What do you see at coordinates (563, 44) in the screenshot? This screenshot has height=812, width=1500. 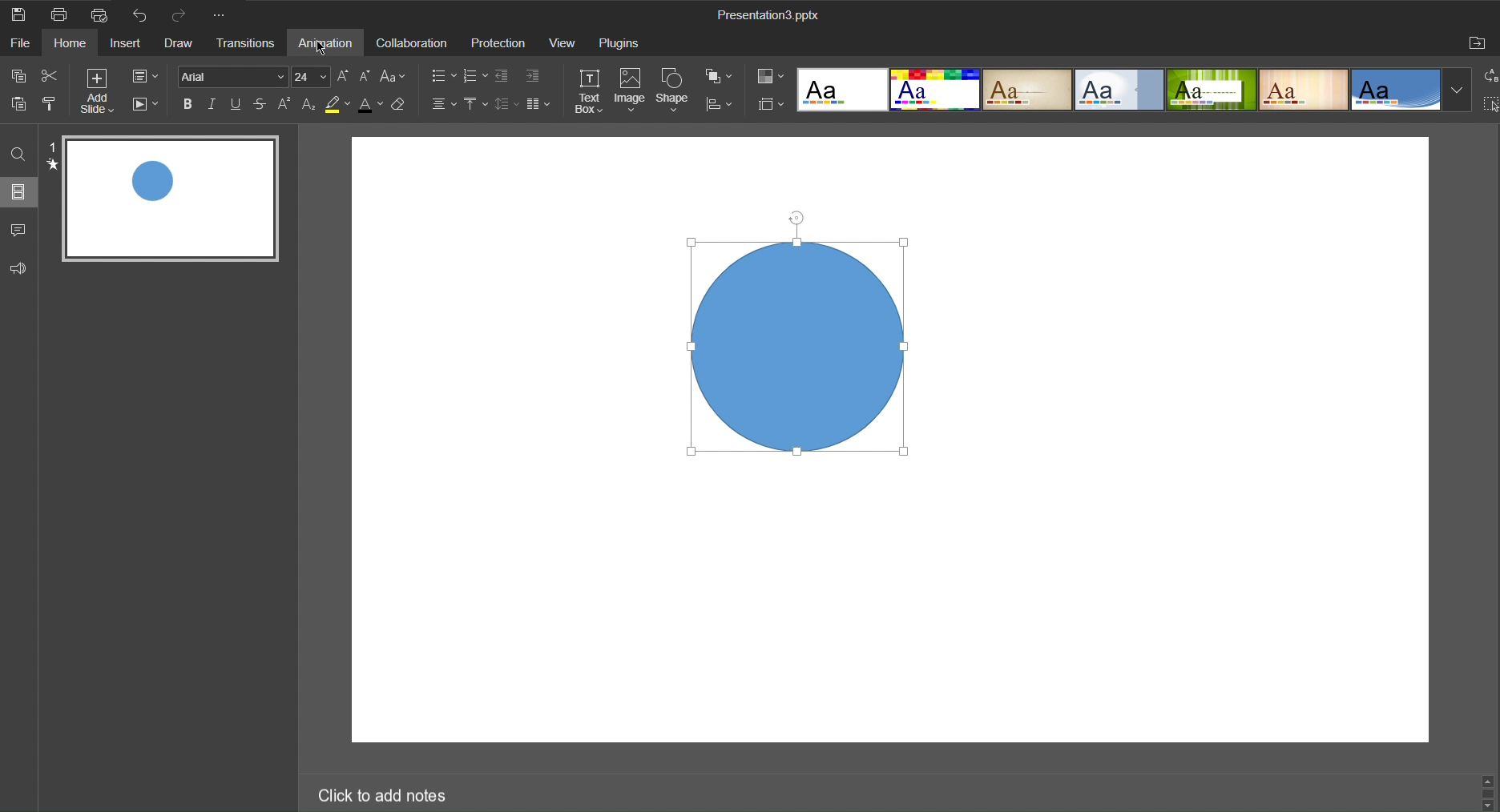 I see `View` at bounding box center [563, 44].